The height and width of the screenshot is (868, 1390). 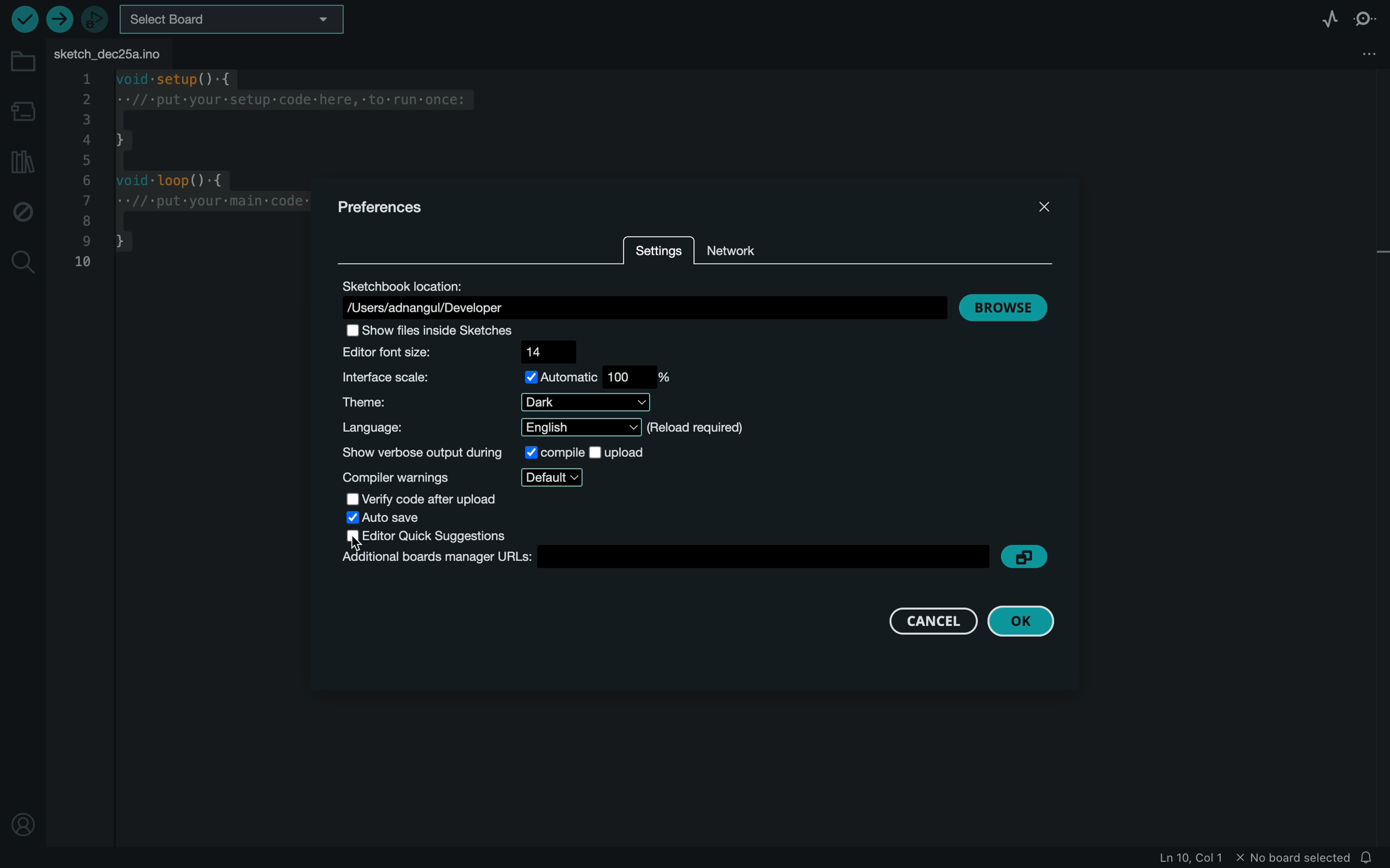 I want to click on browse, so click(x=1008, y=304).